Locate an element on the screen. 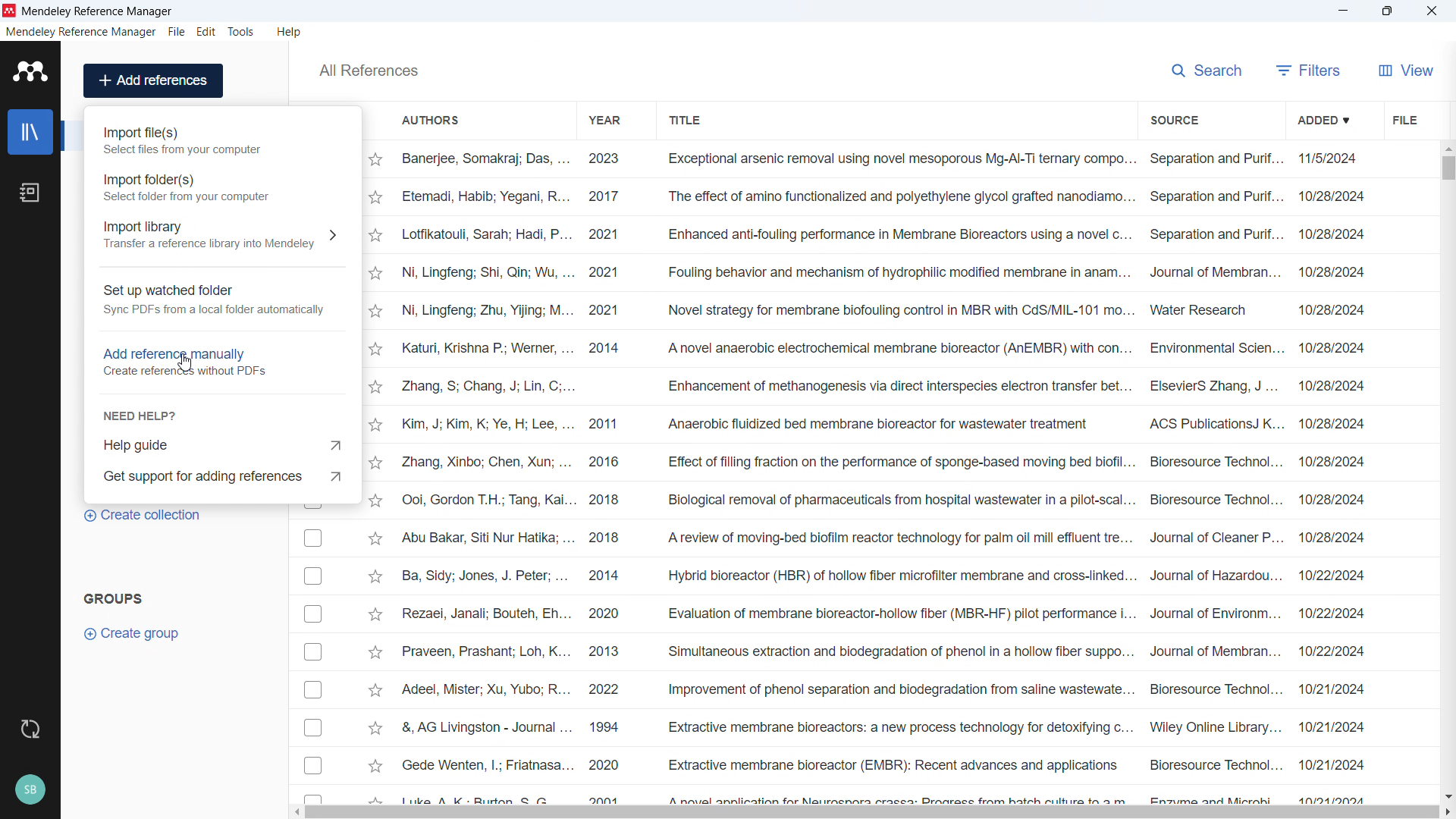  file  is located at coordinates (176, 33).